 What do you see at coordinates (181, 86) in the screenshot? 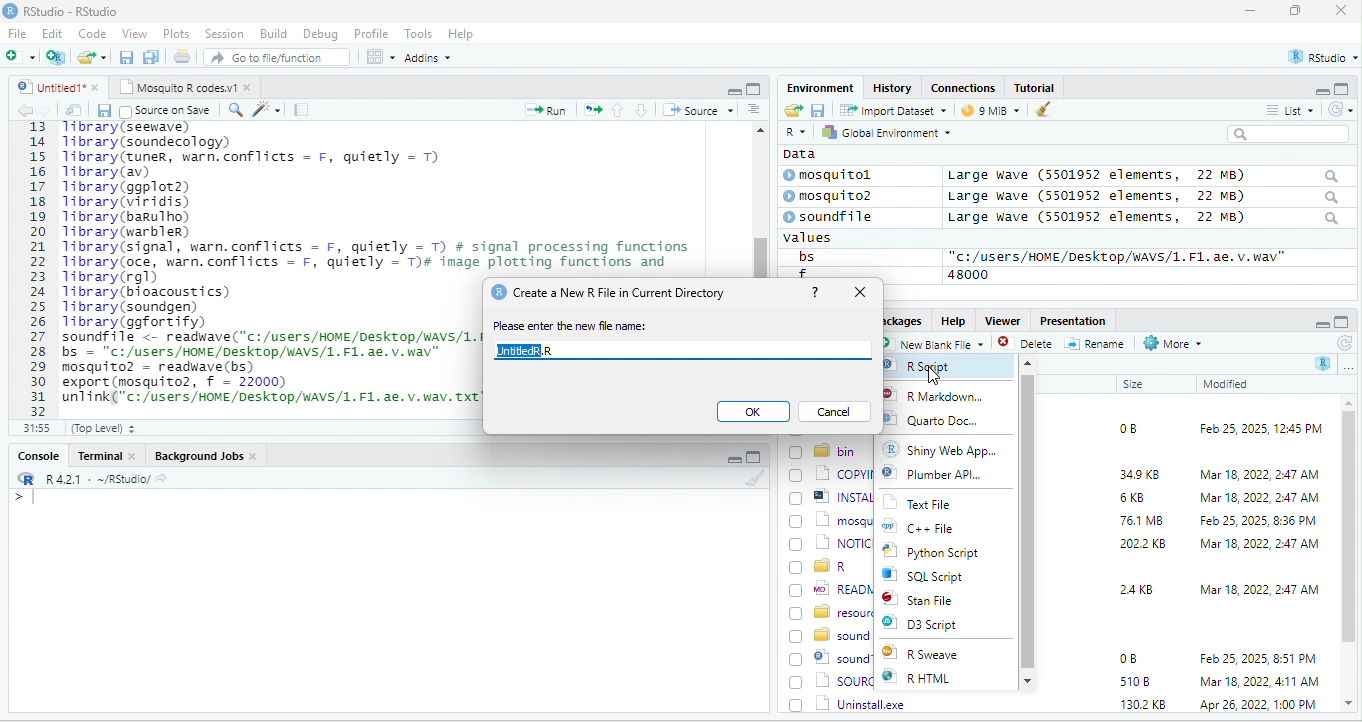
I see `‘Mosquito R codes.vi` at bounding box center [181, 86].